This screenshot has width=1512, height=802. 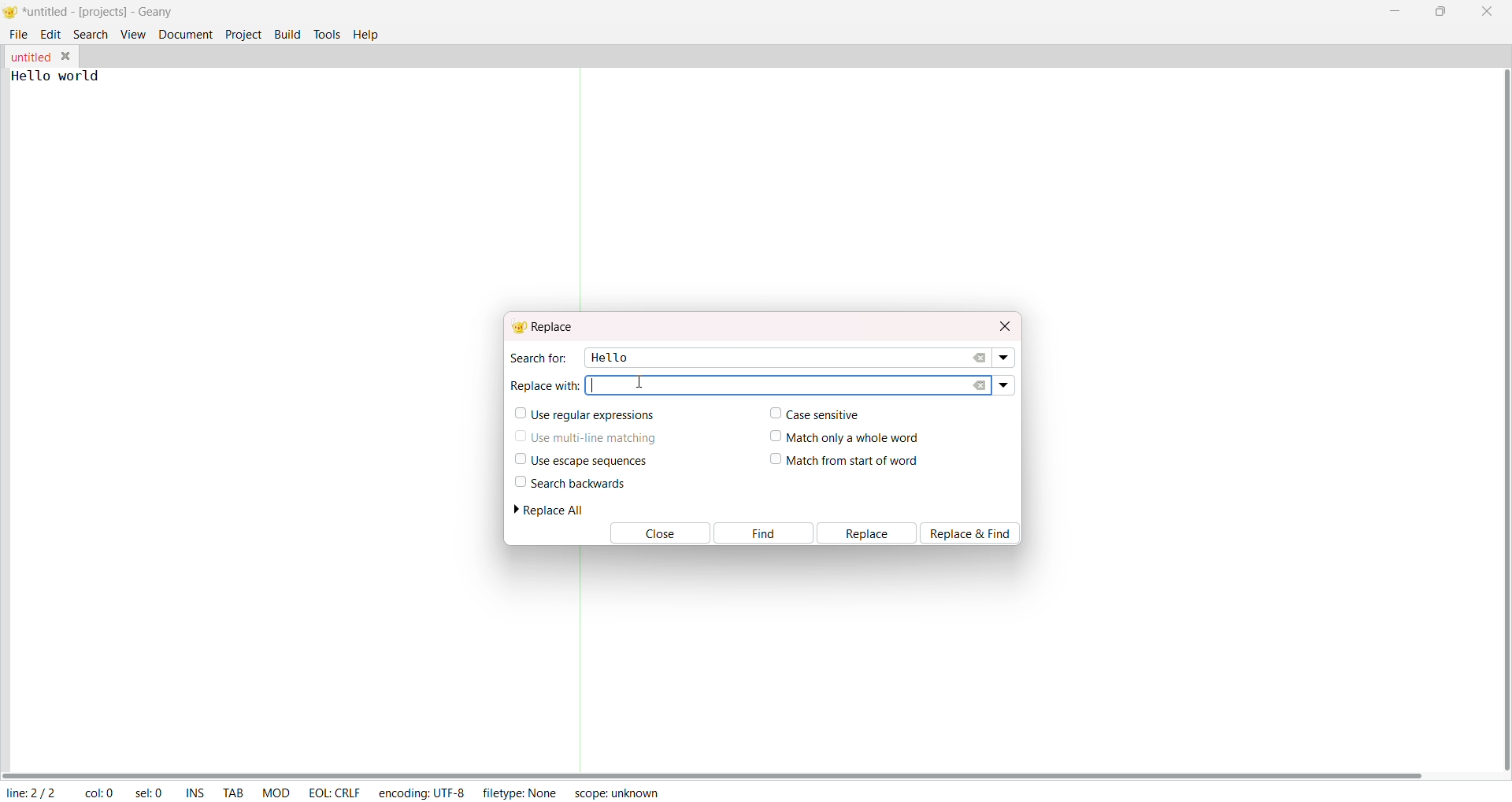 I want to click on hello, so click(x=607, y=356).